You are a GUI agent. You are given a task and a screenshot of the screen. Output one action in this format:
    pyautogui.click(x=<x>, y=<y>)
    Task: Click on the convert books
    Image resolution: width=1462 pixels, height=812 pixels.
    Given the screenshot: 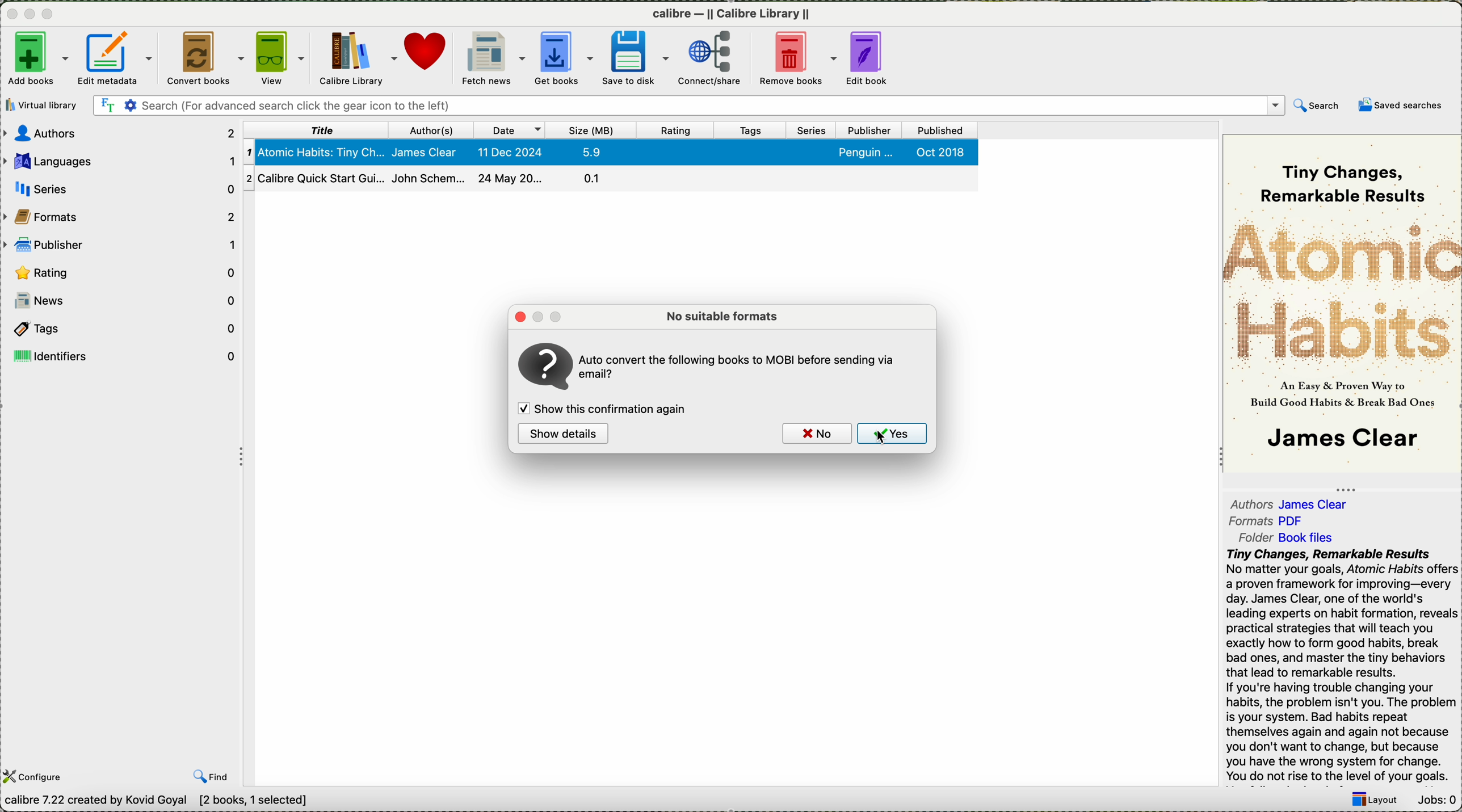 What is the action you would take?
    pyautogui.click(x=207, y=58)
    